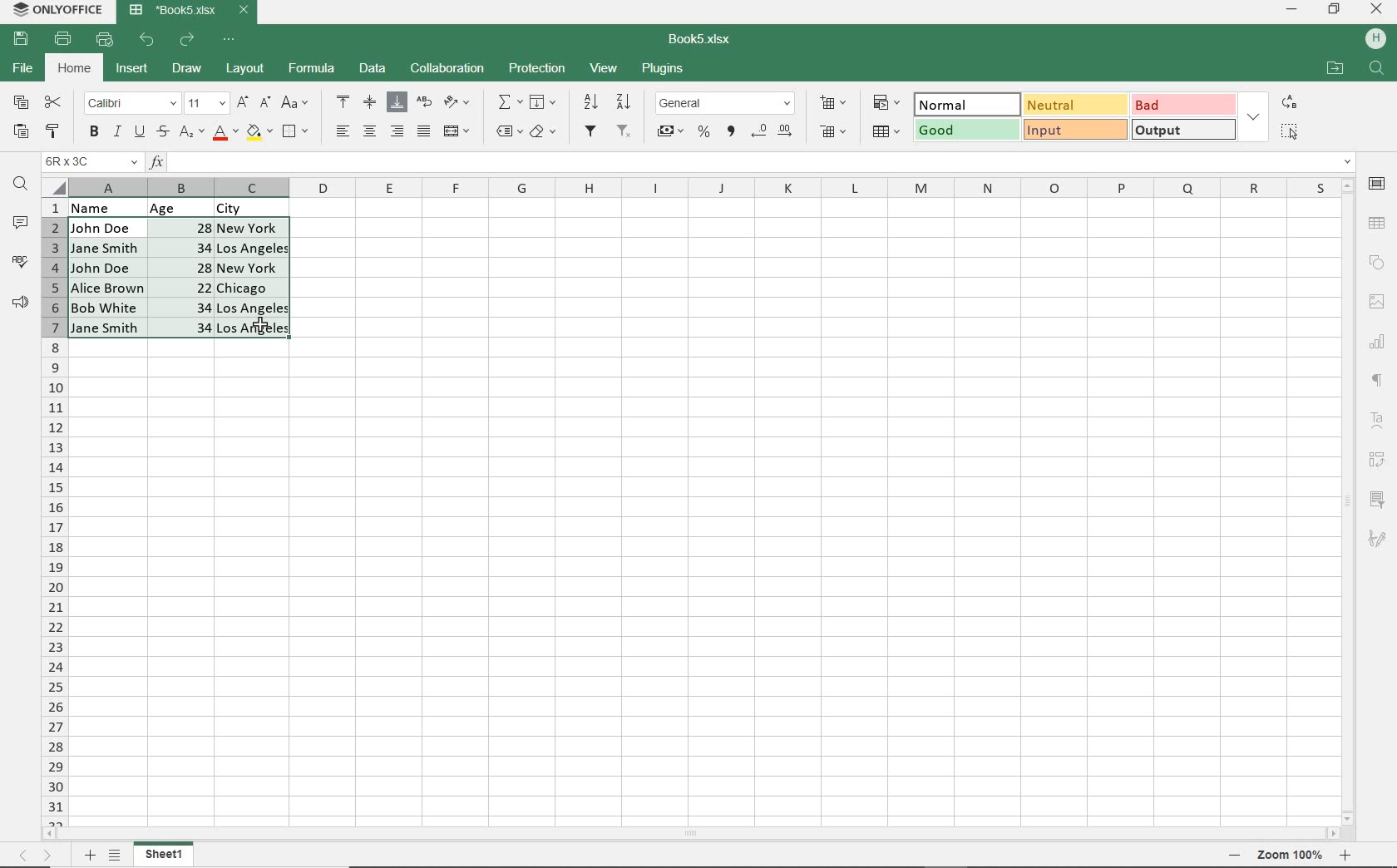 Image resolution: width=1397 pixels, height=868 pixels. I want to click on QUICK PRINT, so click(105, 40).